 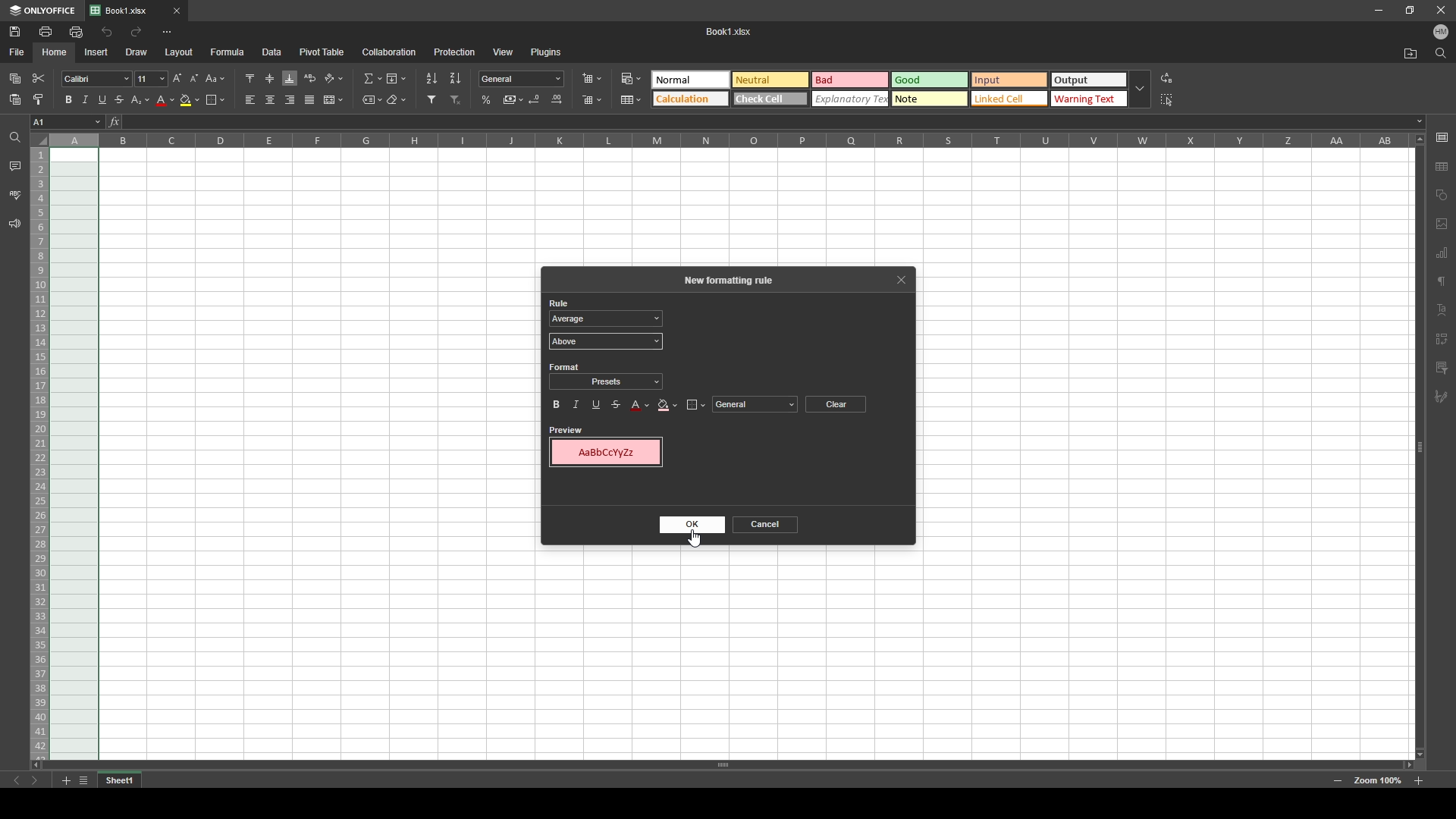 What do you see at coordinates (1379, 11) in the screenshot?
I see `minimize` at bounding box center [1379, 11].